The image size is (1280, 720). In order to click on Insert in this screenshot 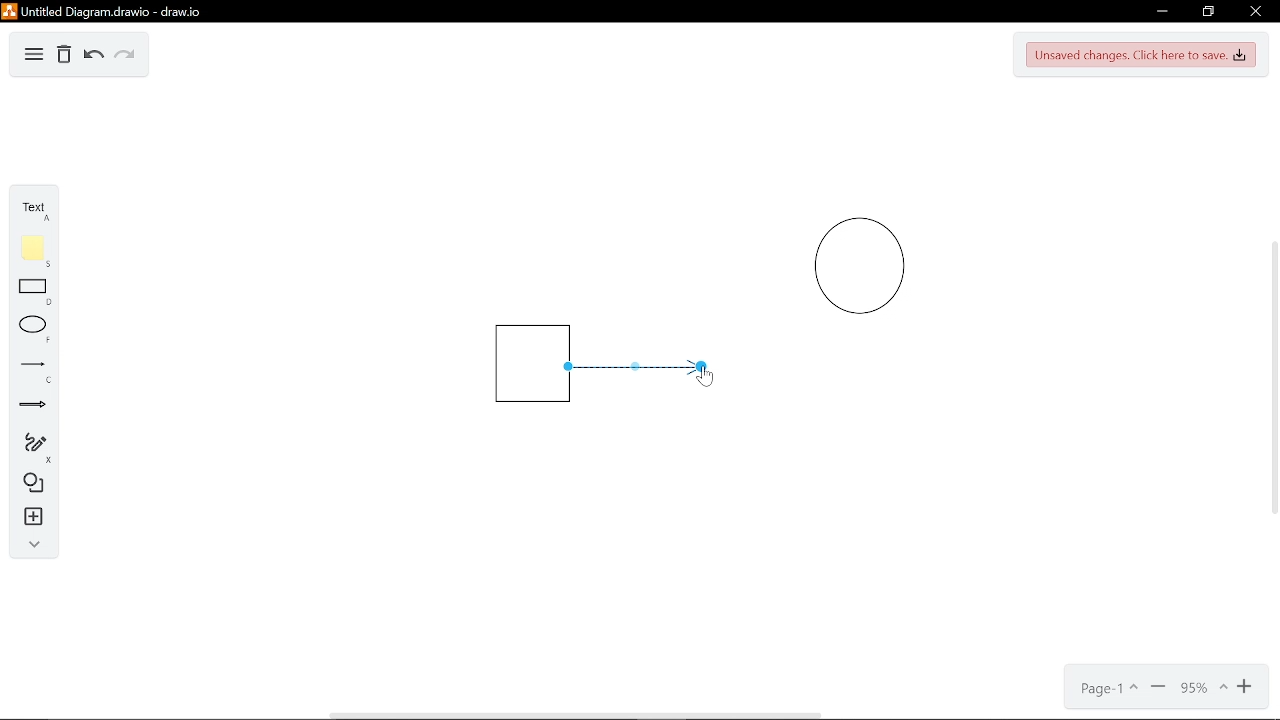, I will do `click(27, 516)`.